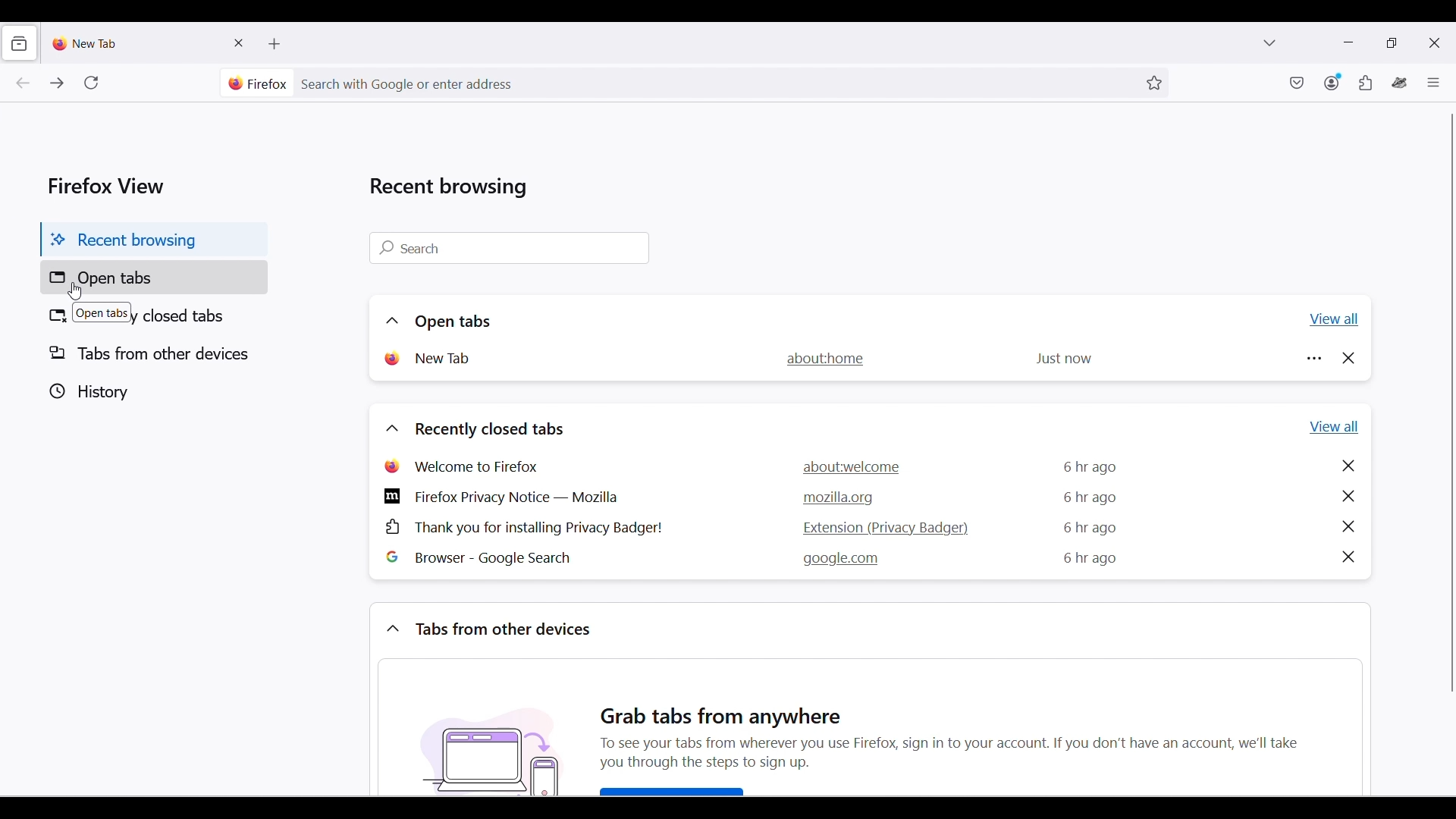 This screenshot has width=1456, height=819. Describe the element at coordinates (108, 185) in the screenshot. I see `List title - Firefox View` at that location.